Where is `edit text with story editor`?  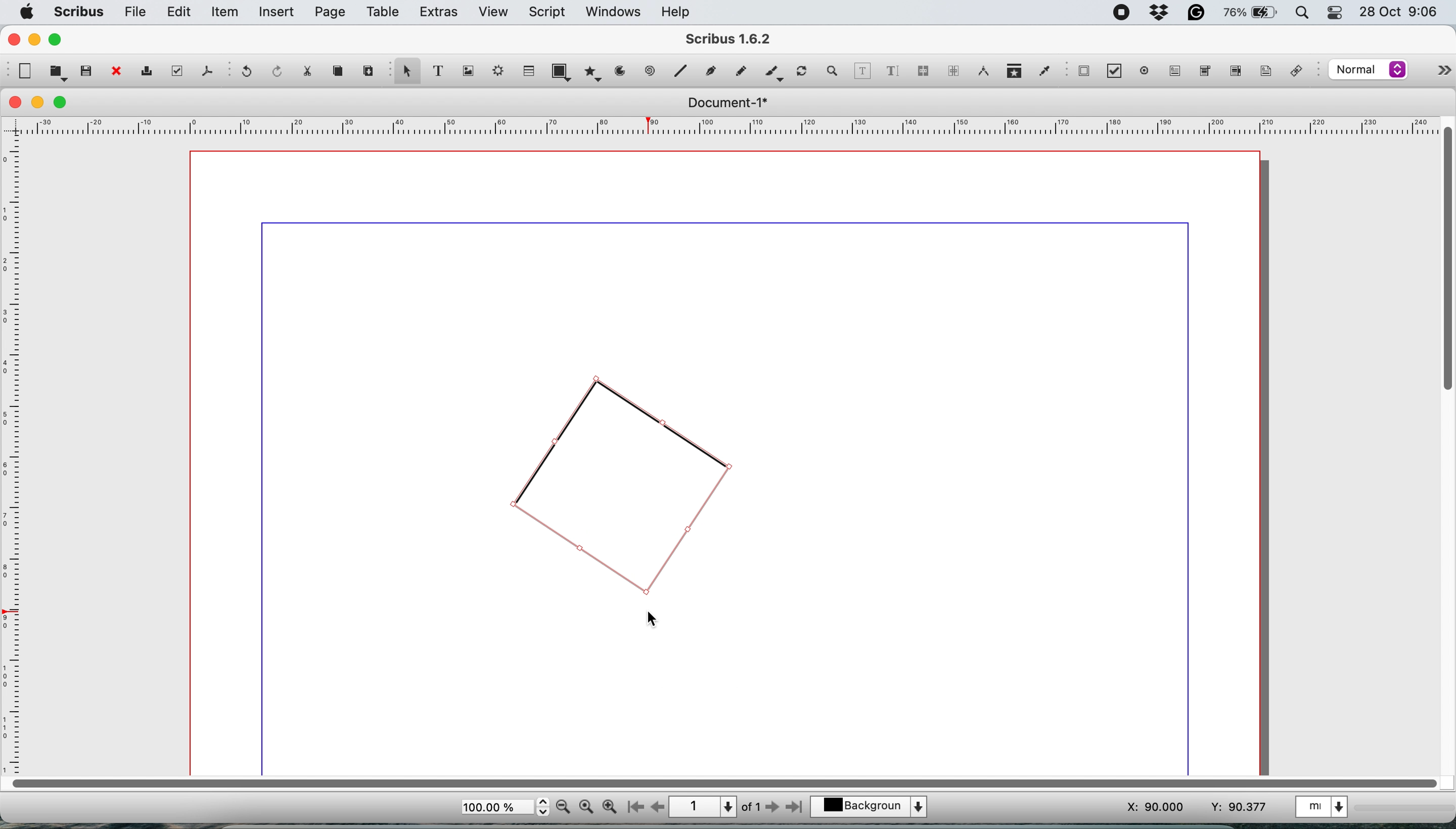
edit text with story editor is located at coordinates (894, 70).